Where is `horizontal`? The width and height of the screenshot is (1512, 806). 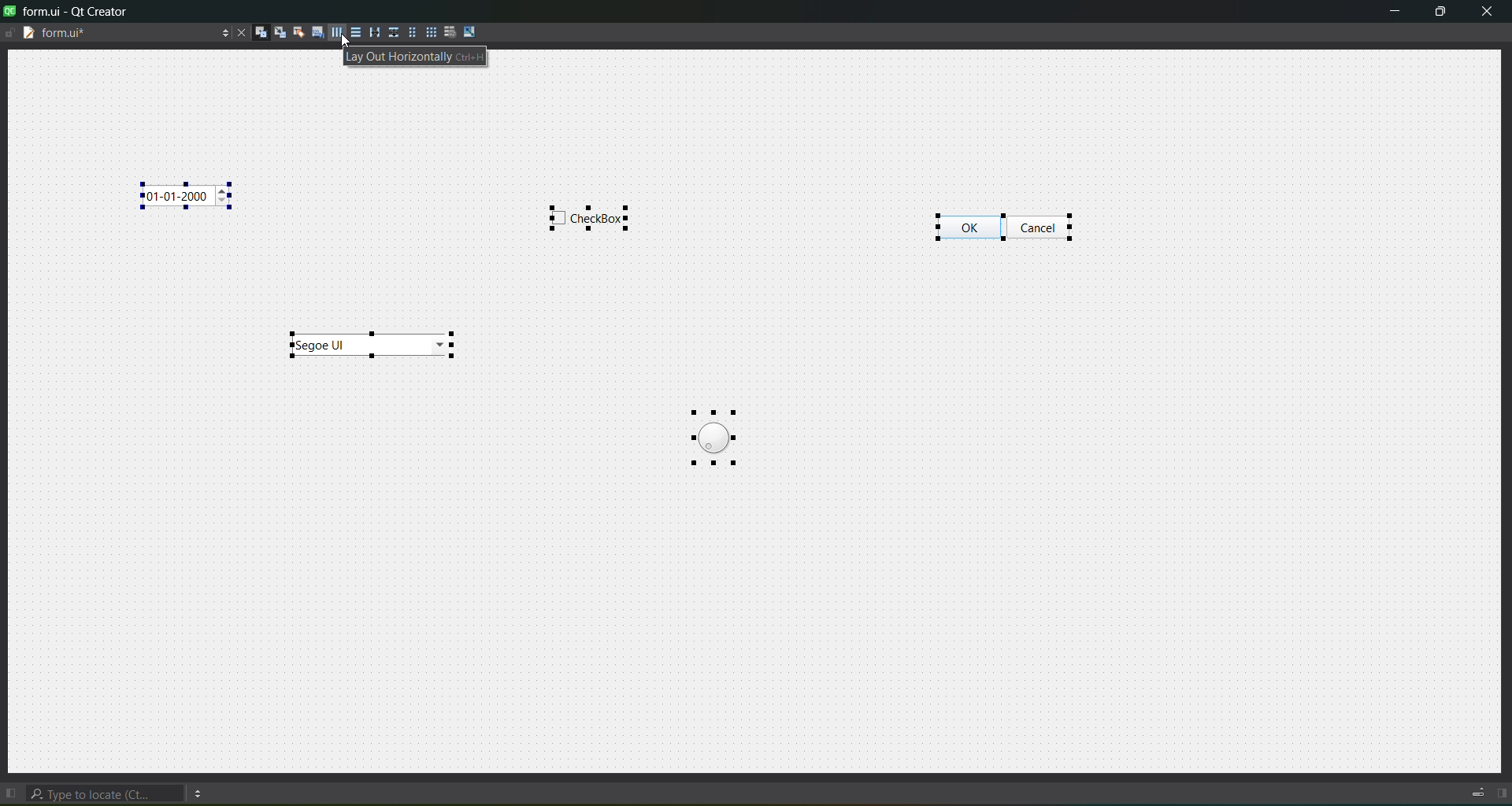 horizontal is located at coordinates (332, 35).